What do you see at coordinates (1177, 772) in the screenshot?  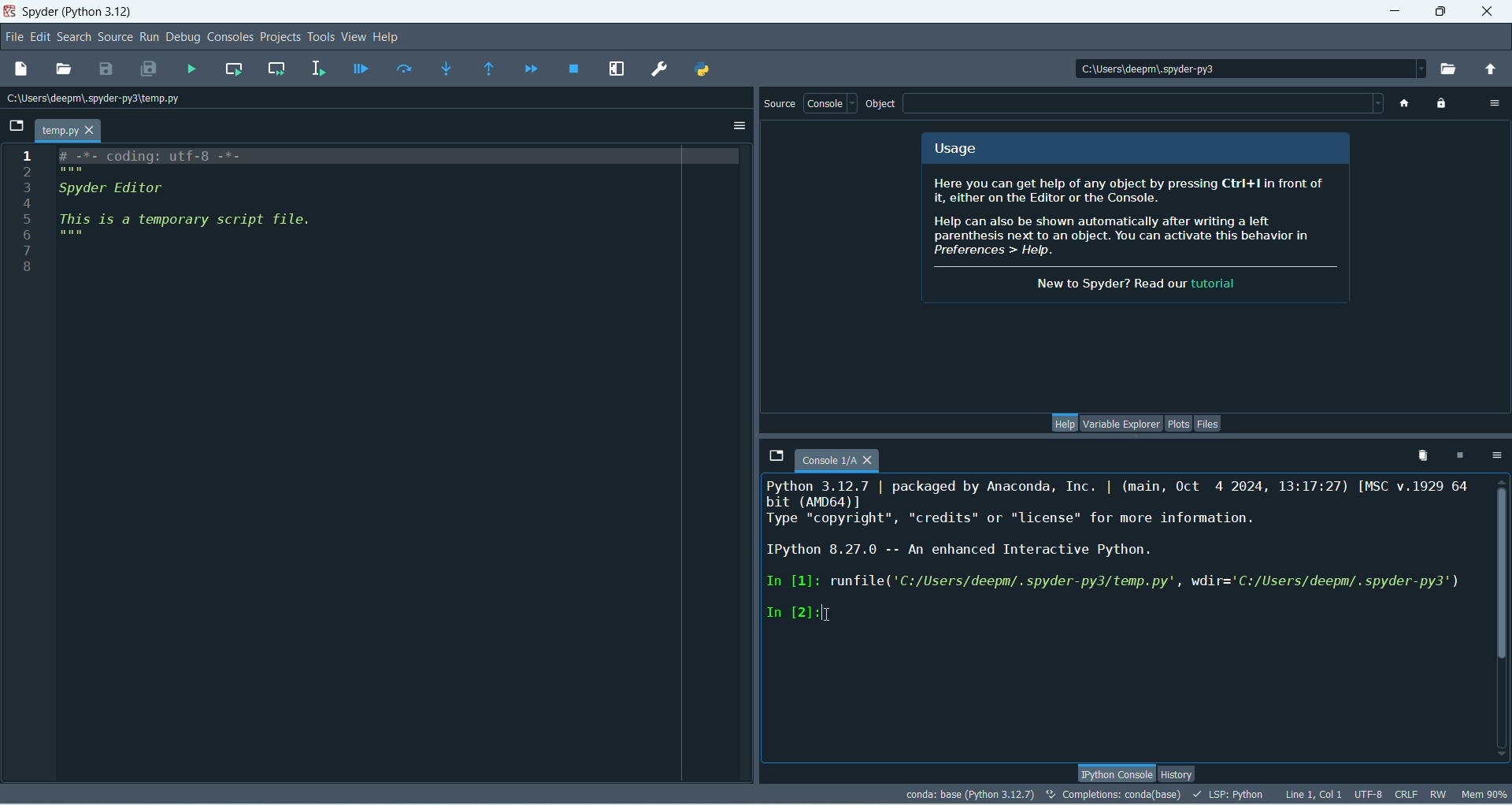 I see `history` at bounding box center [1177, 772].